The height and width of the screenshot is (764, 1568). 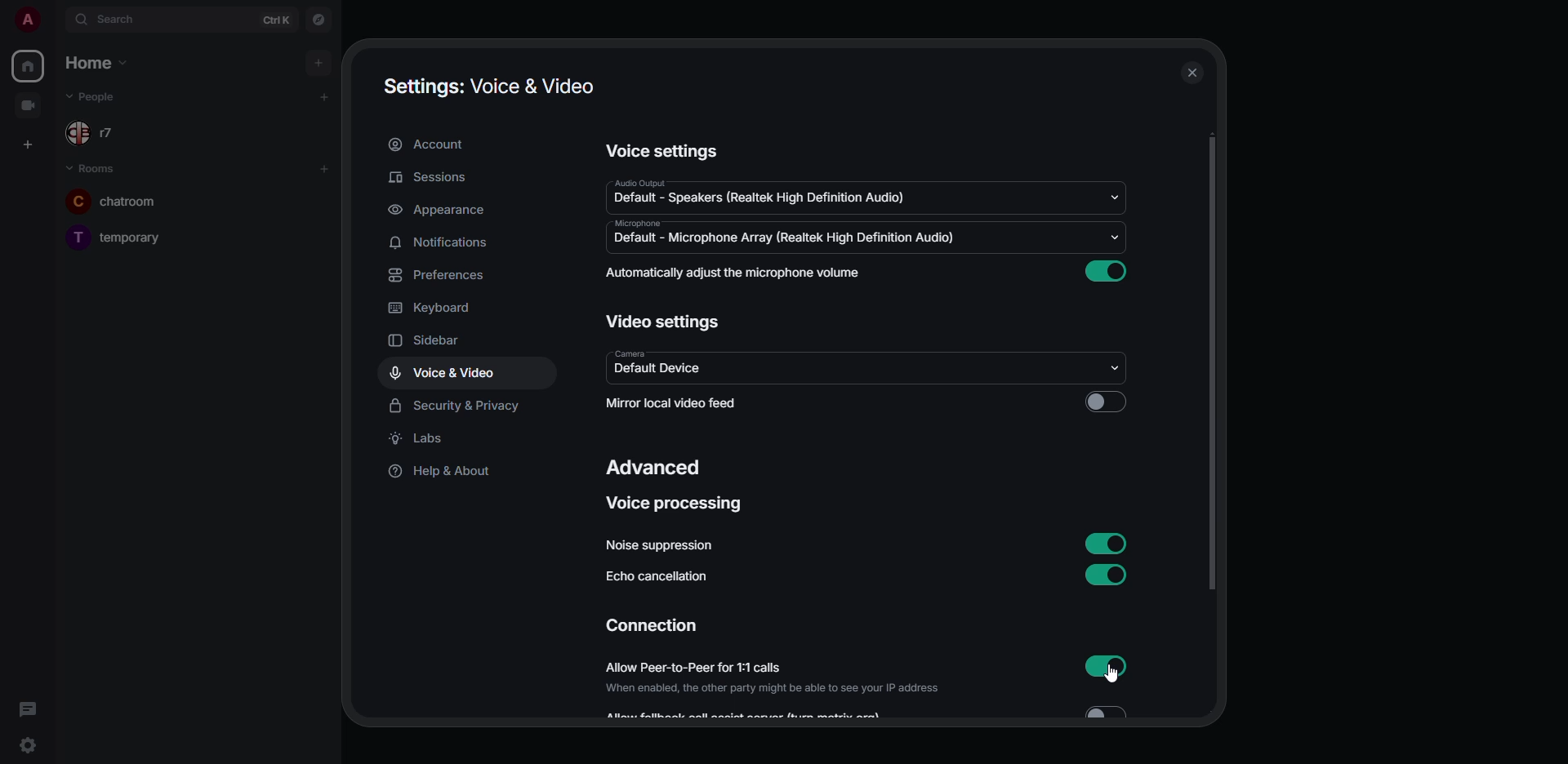 What do you see at coordinates (1109, 269) in the screenshot?
I see `enabled` at bounding box center [1109, 269].